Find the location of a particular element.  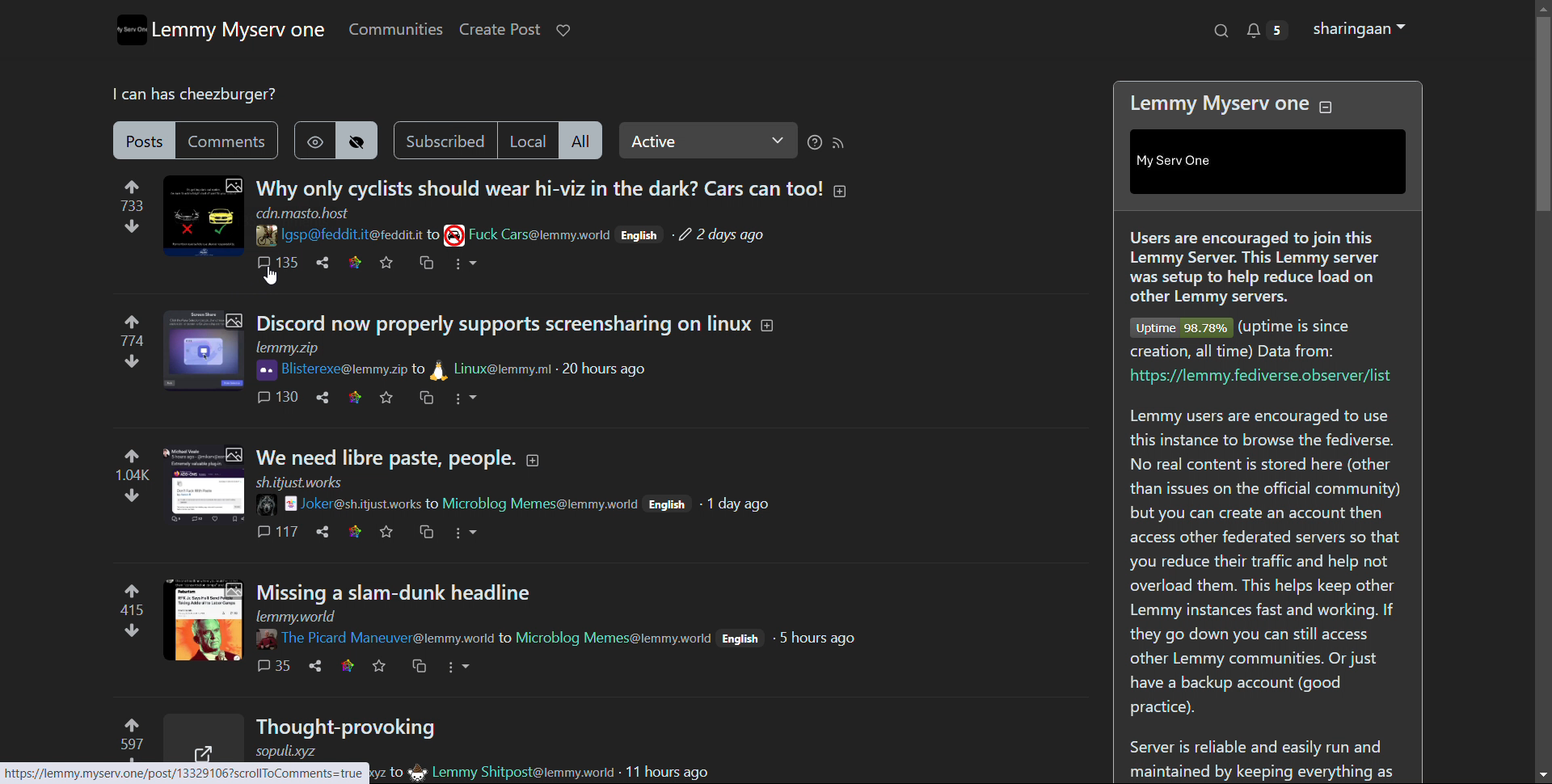

share is located at coordinates (317, 664).